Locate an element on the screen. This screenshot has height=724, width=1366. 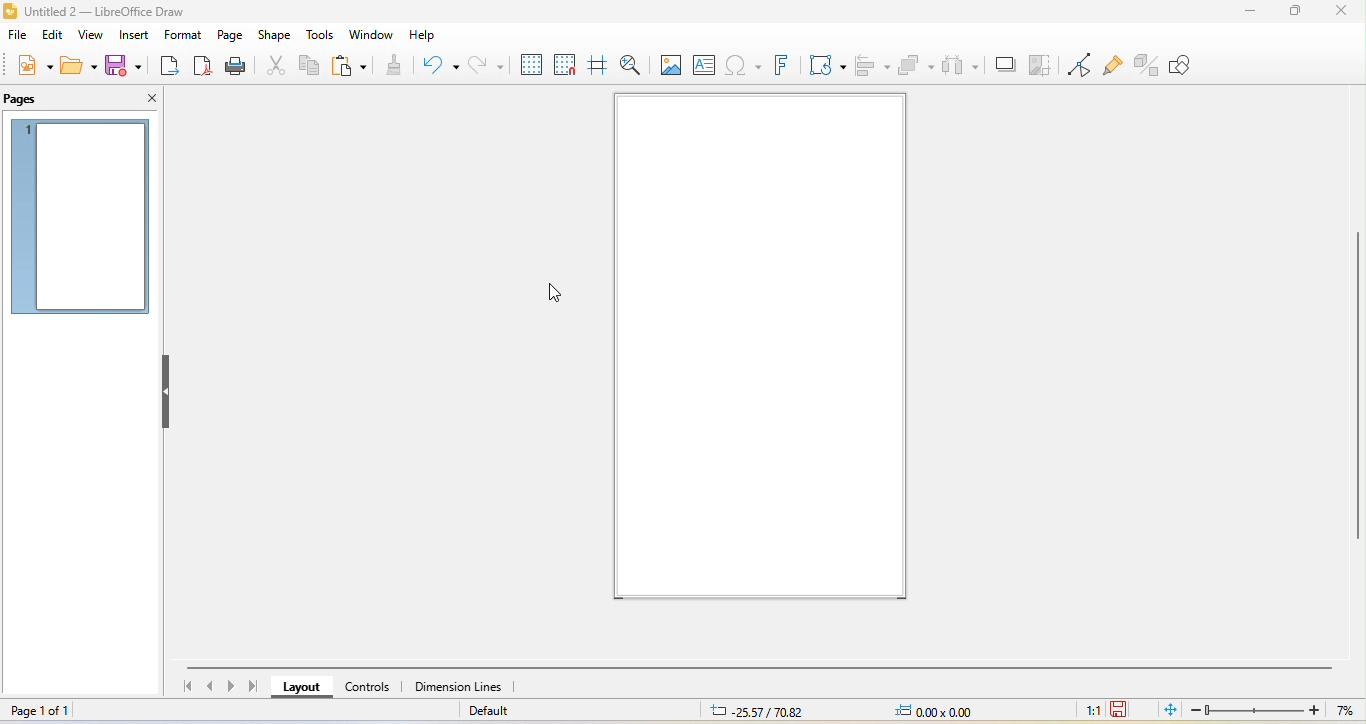
show draw function is located at coordinates (1195, 65).